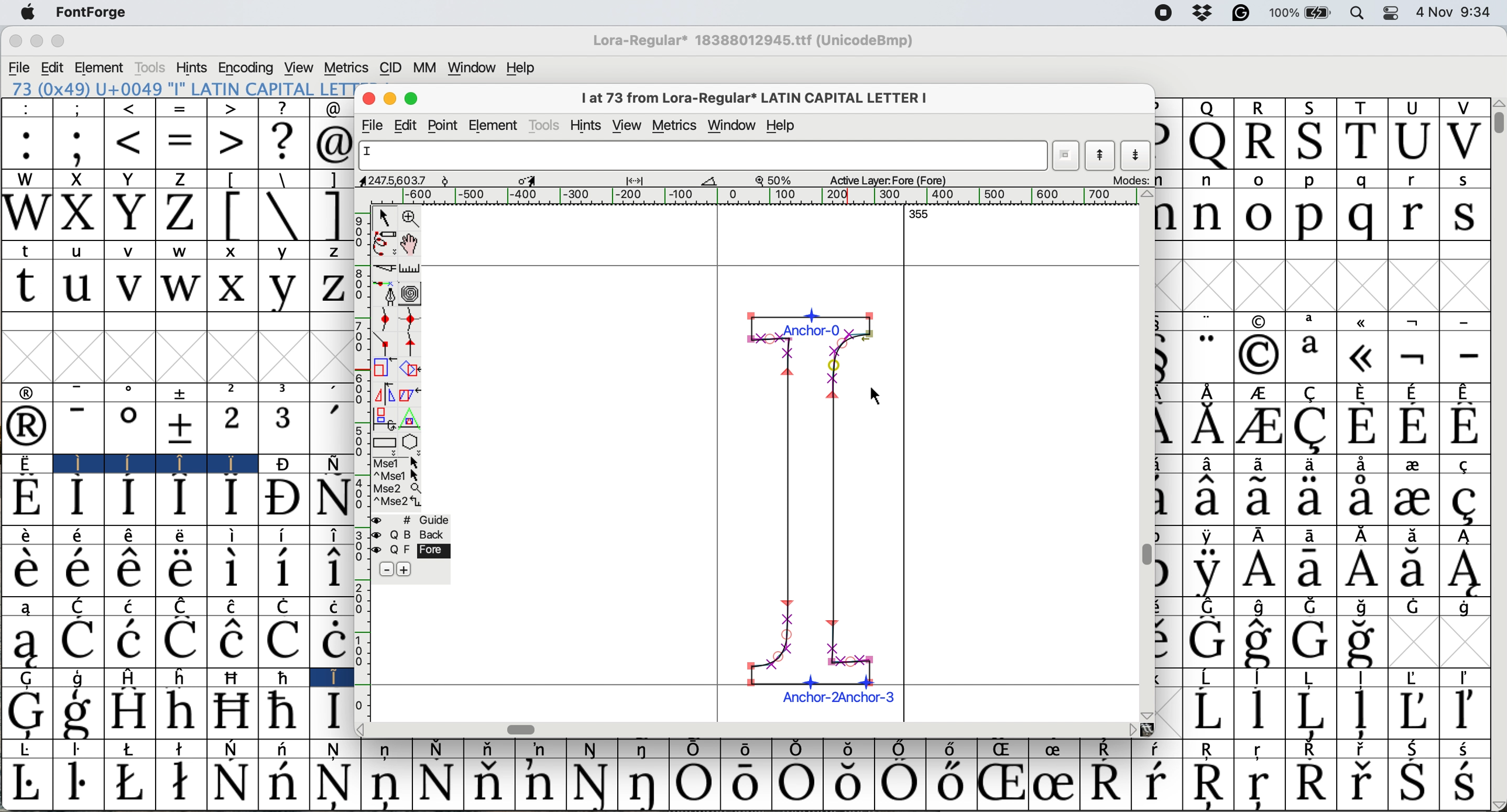 The image size is (1507, 812). What do you see at coordinates (846, 749) in the screenshot?
I see `Symbol` at bounding box center [846, 749].